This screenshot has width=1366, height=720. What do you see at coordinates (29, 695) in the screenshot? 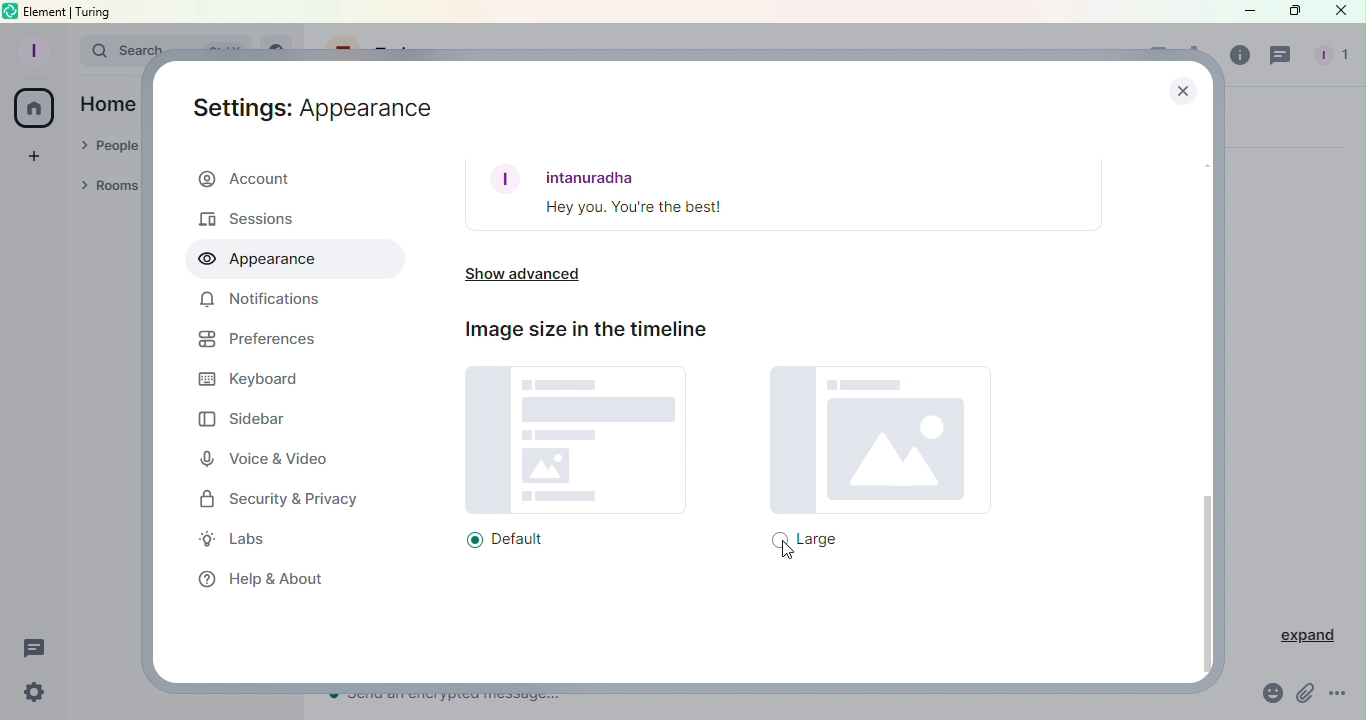
I see `Quick settings` at bounding box center [29, 695].